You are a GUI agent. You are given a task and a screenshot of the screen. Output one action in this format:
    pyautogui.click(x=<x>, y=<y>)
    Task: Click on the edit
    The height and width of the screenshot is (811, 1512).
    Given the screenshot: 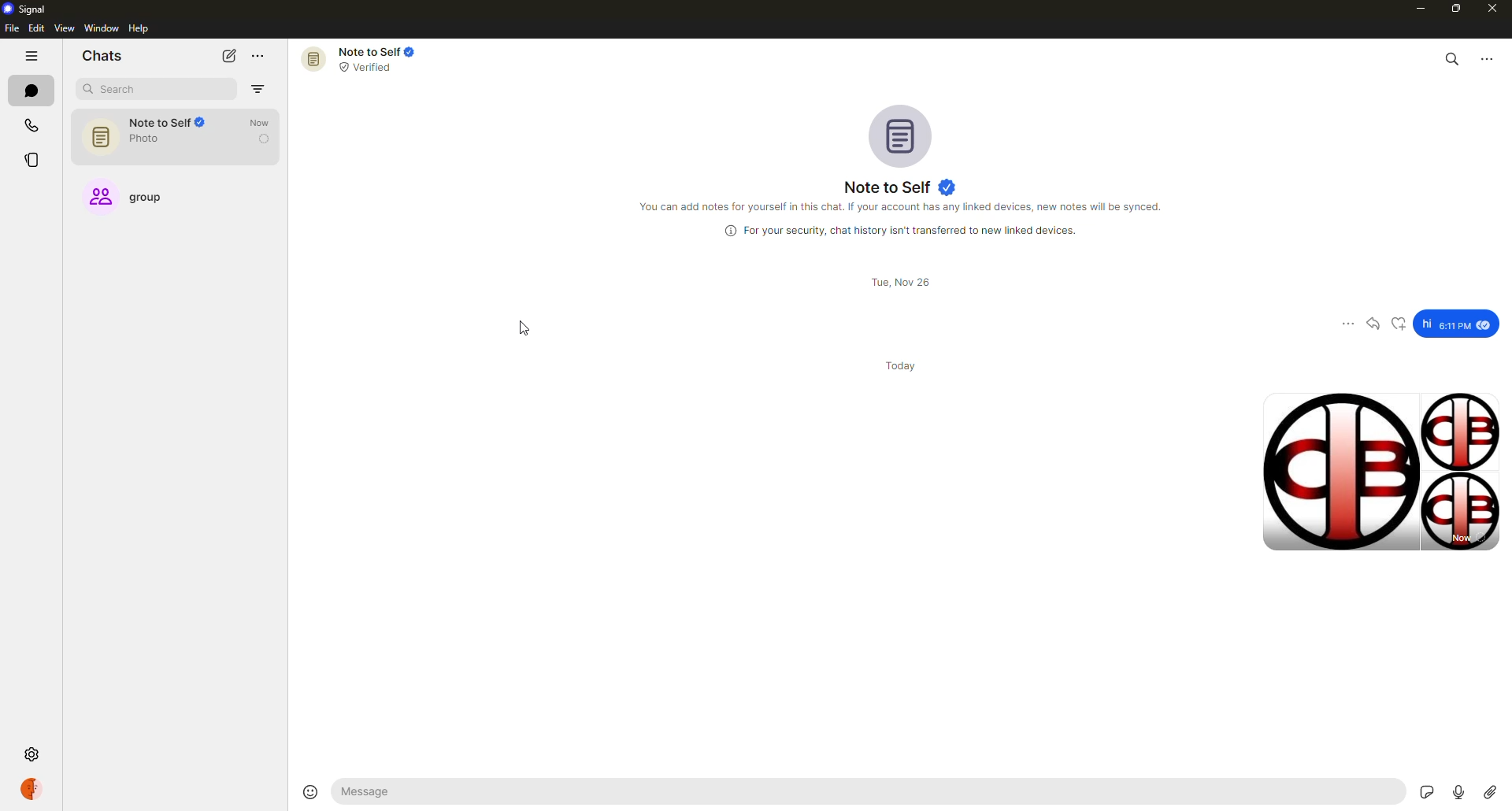 What is the action you would take?
    pyautogui.click(x=37, y=28)
    